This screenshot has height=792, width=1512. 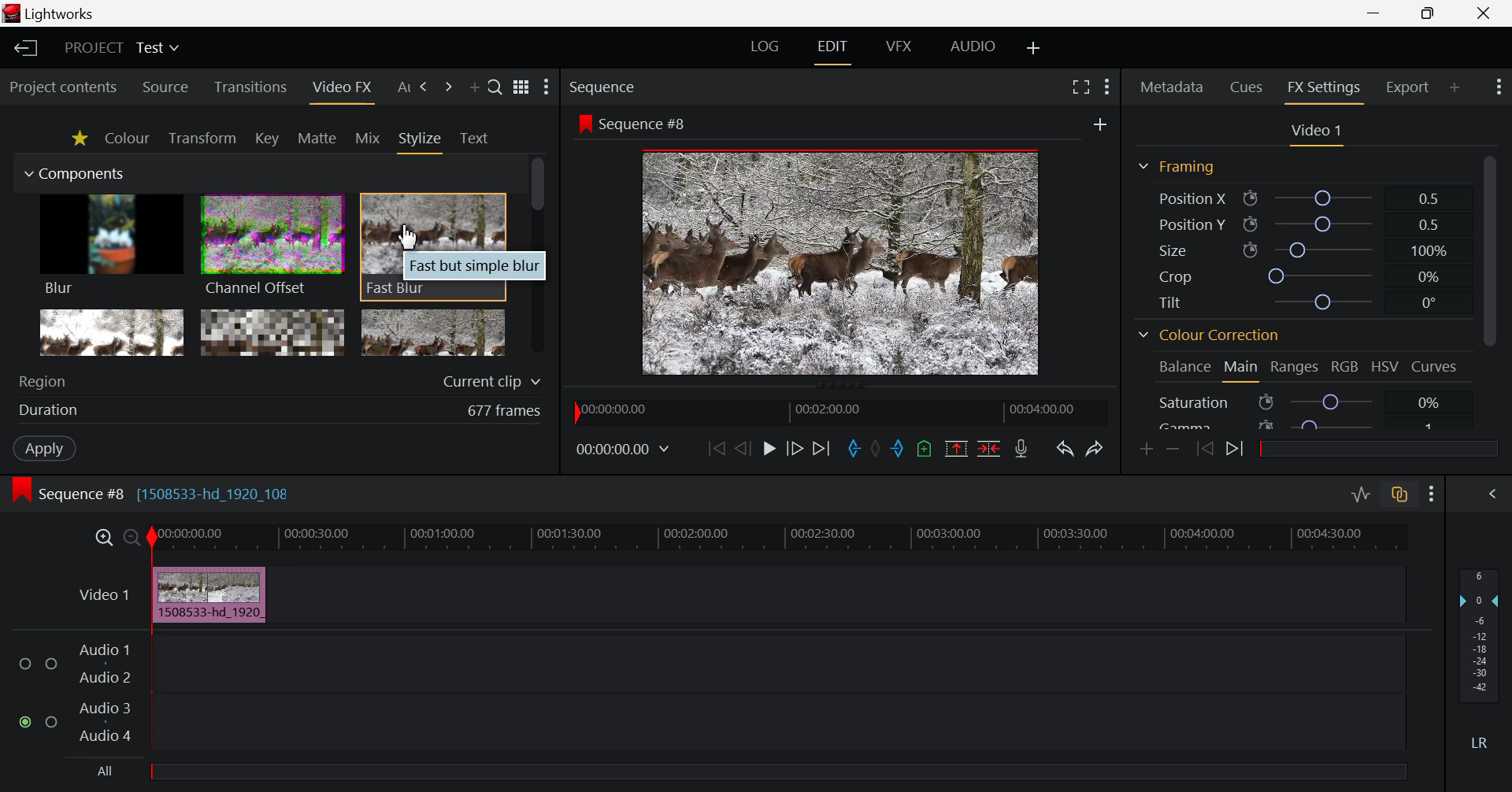 I want to click on Components Section, so click(x=80, y=172).